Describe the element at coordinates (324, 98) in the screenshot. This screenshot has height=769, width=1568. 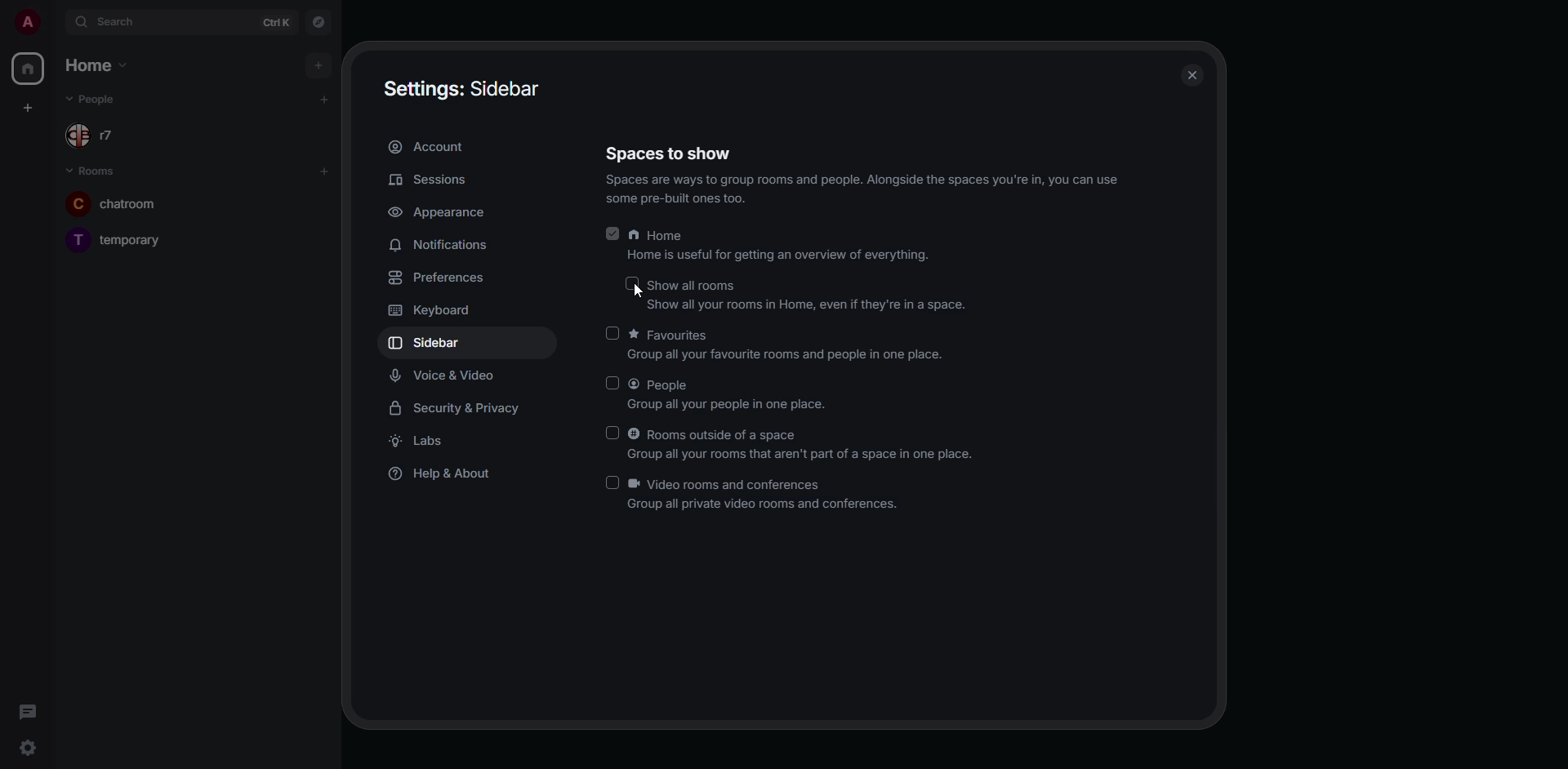
I see `add` at that location.